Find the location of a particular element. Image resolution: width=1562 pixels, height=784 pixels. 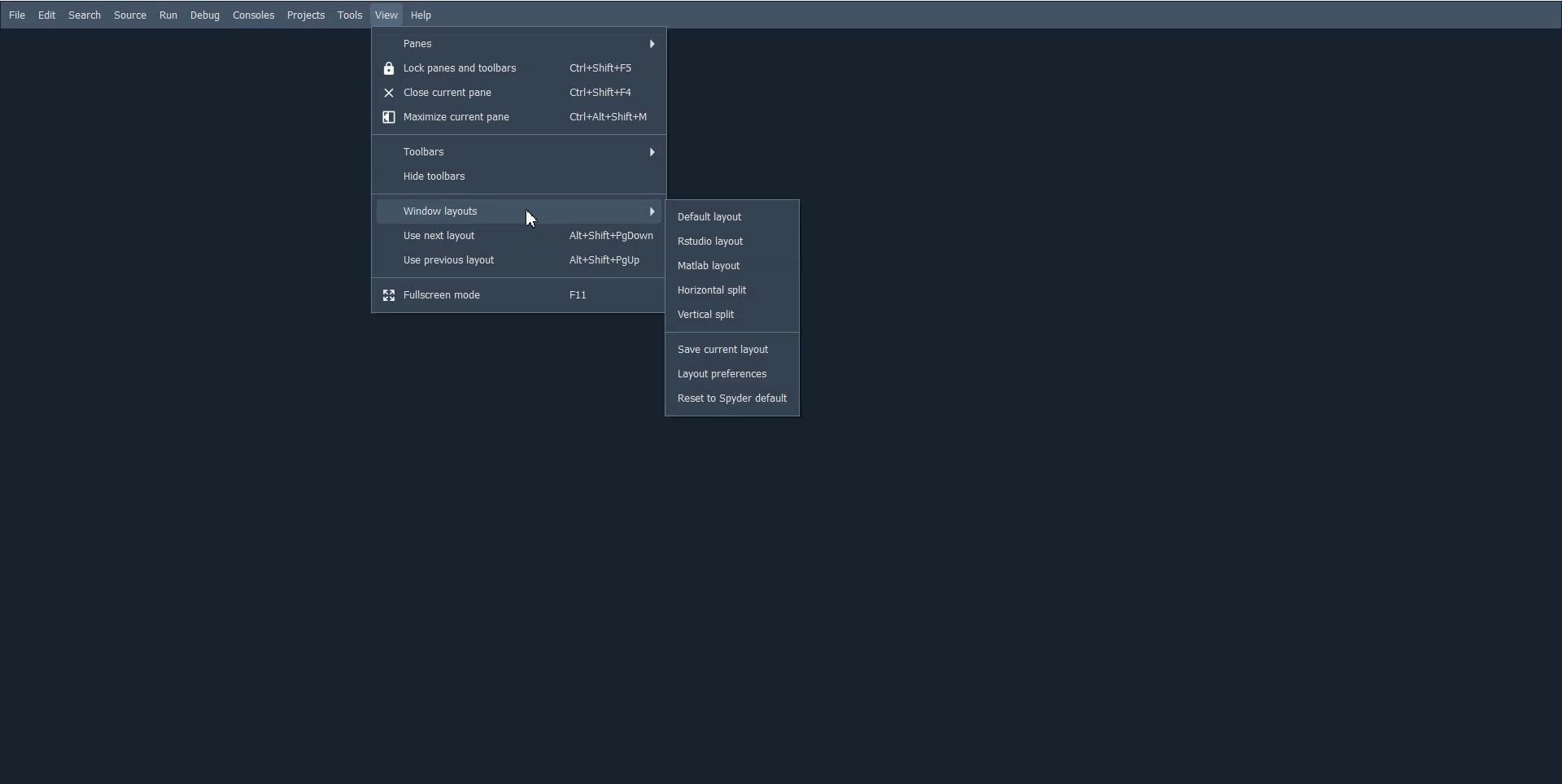

Close current pane is located at coordinates (520, 92).